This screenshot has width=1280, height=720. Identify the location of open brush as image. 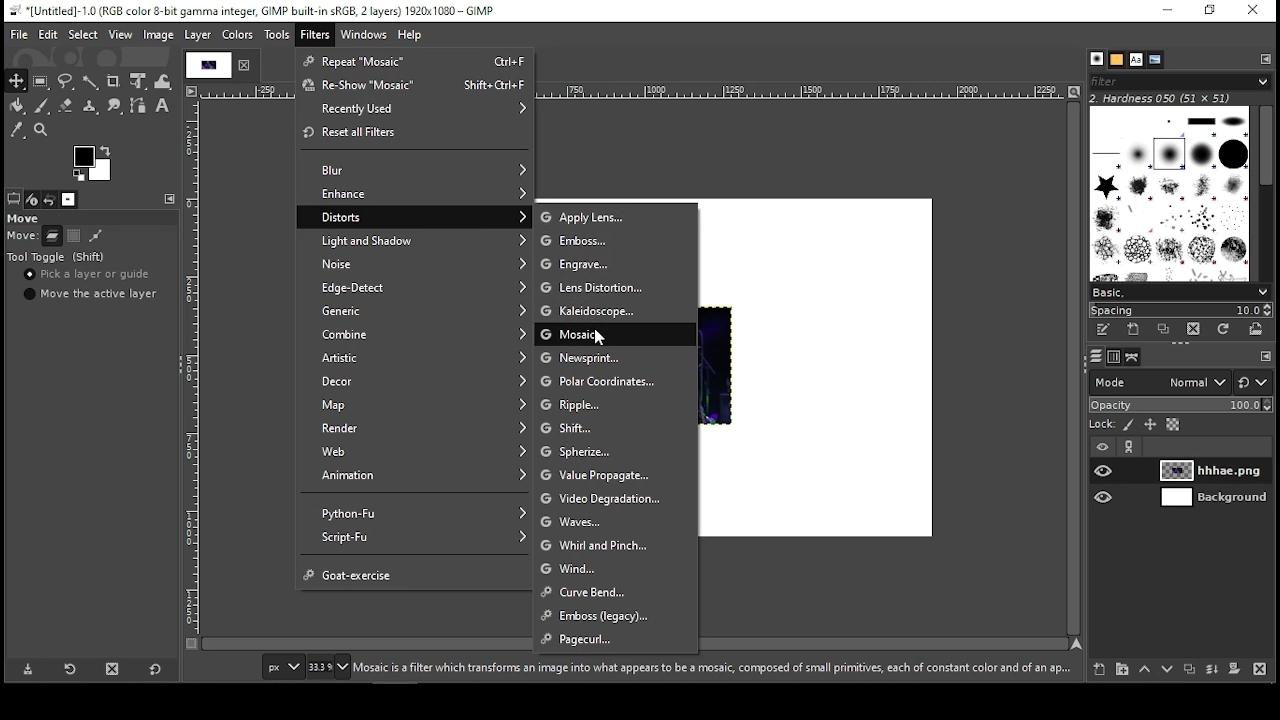
(1254, 330).